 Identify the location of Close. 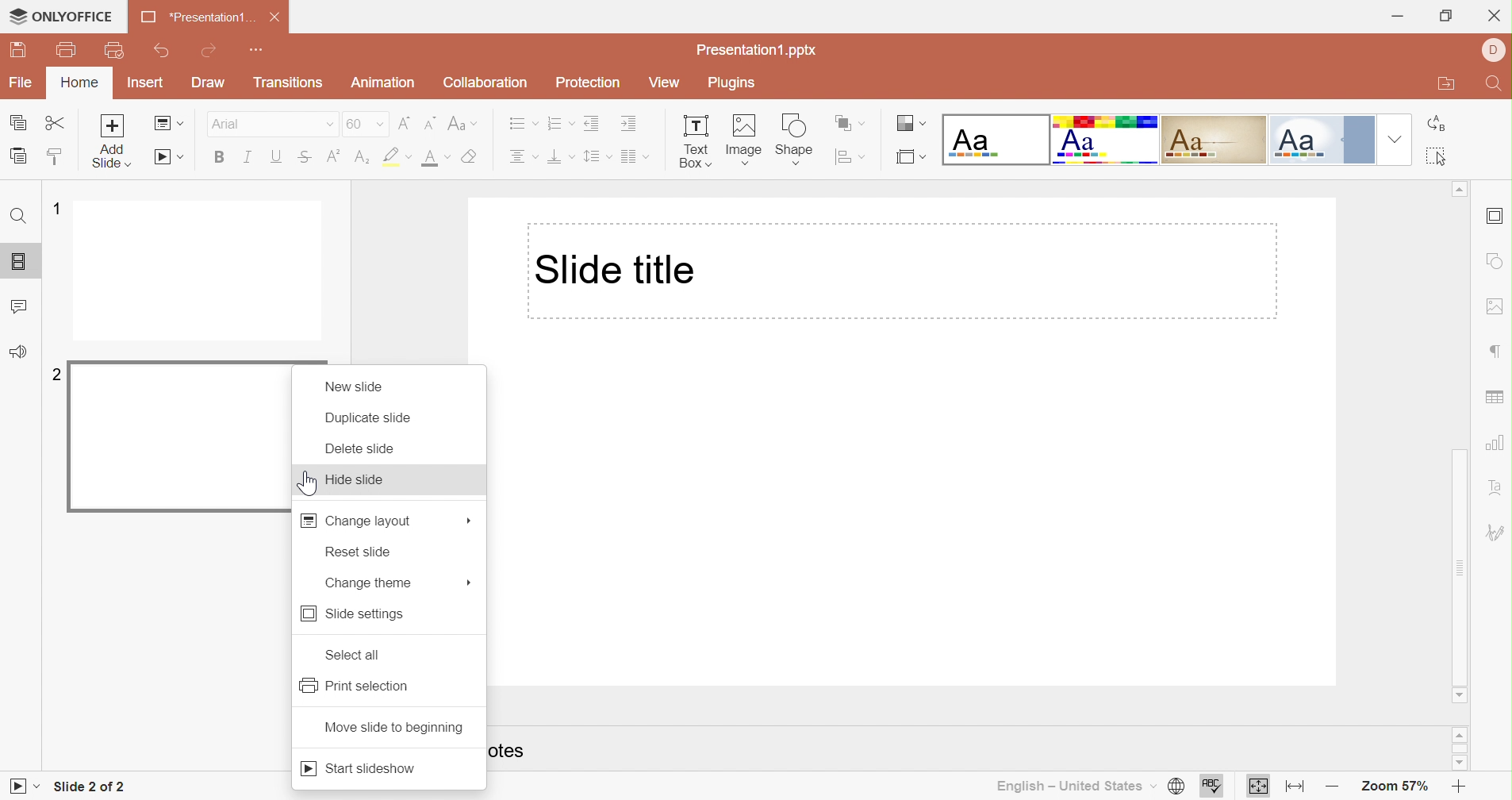
(1496, 15).